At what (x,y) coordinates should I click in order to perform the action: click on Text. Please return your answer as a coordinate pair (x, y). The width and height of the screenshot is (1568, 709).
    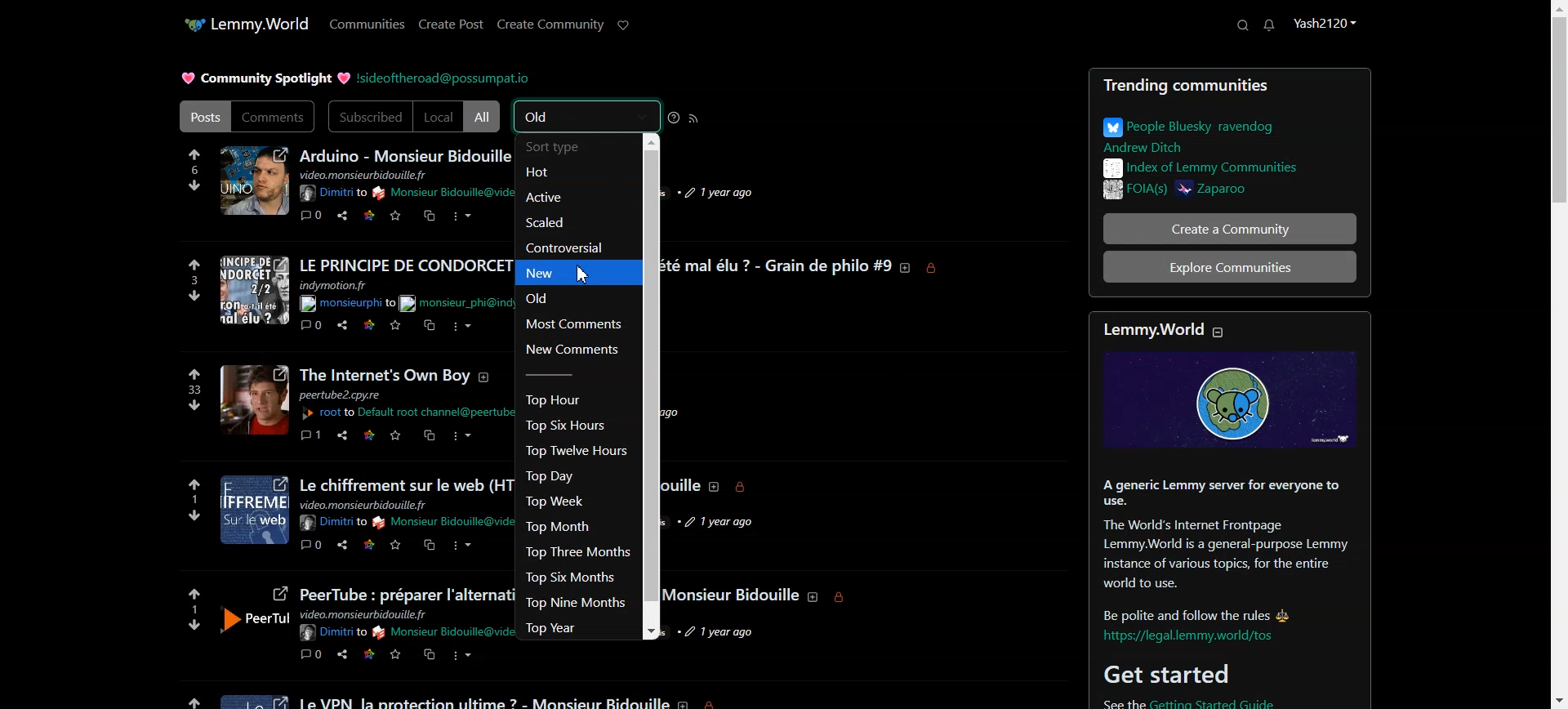
    Looking at the image, I should click on (1219, 135).